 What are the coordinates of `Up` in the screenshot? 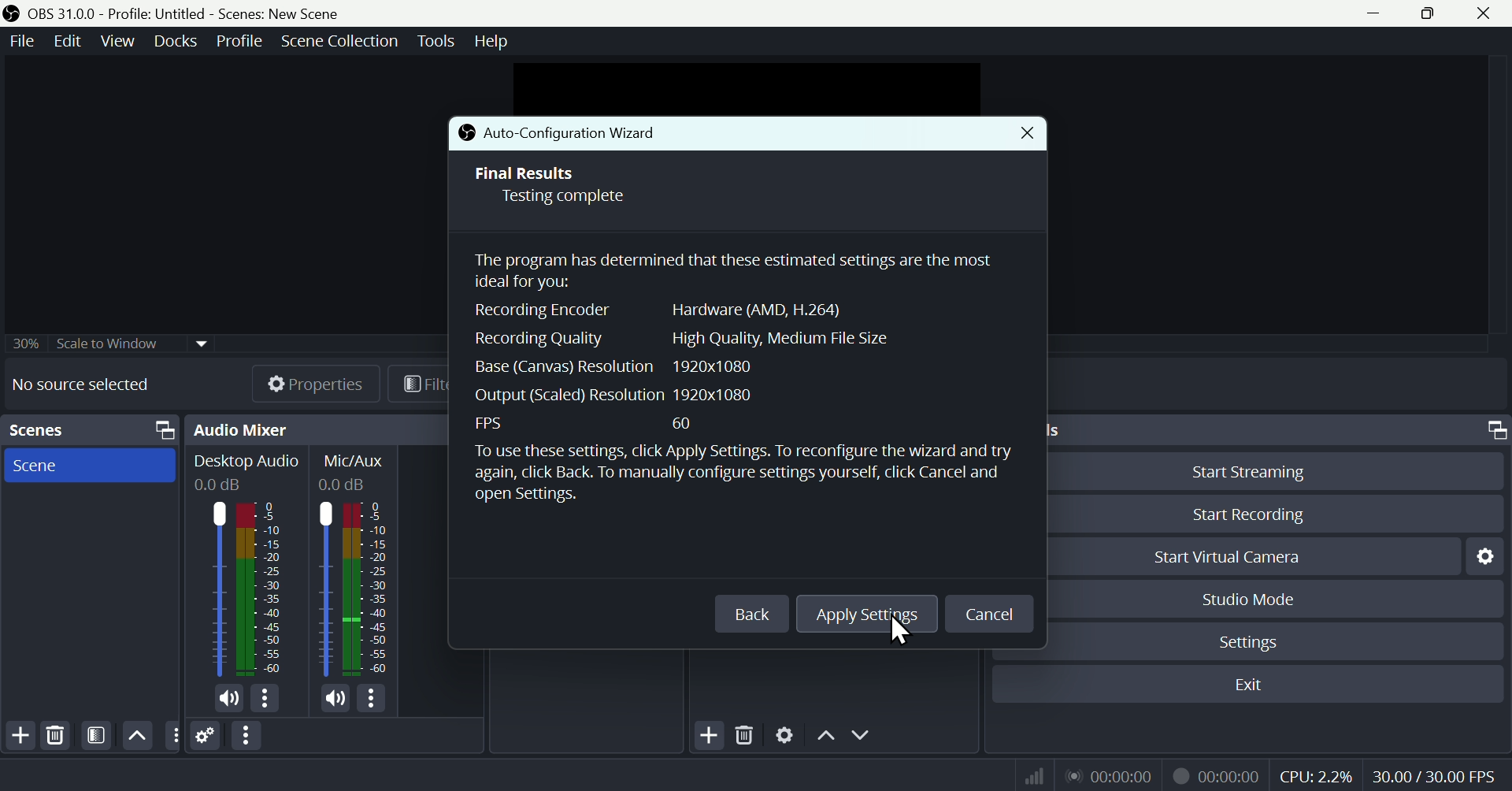 It's located at (137, 735).